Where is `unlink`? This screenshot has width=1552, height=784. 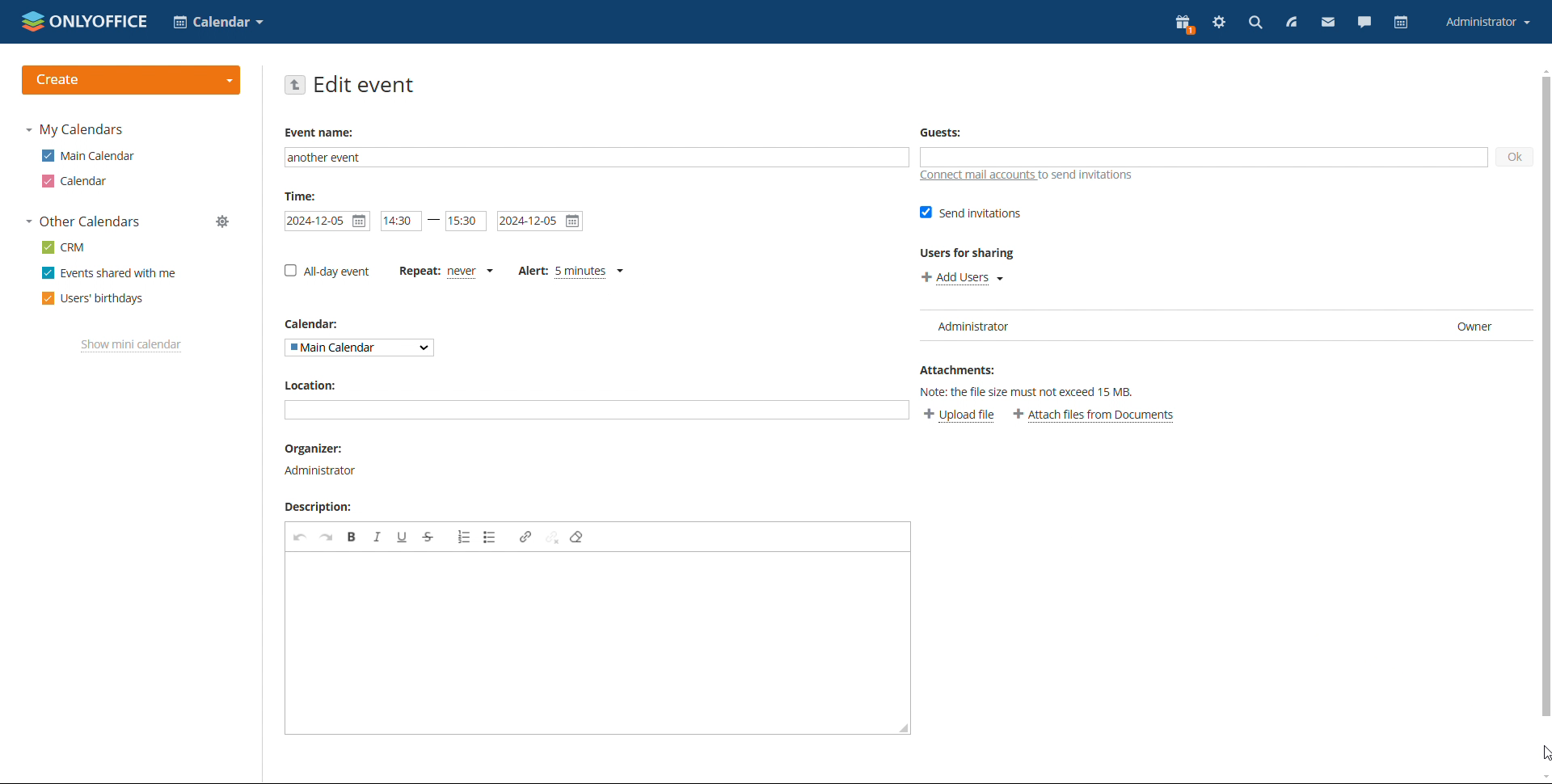 unlink is located at coordinates (552, 537).